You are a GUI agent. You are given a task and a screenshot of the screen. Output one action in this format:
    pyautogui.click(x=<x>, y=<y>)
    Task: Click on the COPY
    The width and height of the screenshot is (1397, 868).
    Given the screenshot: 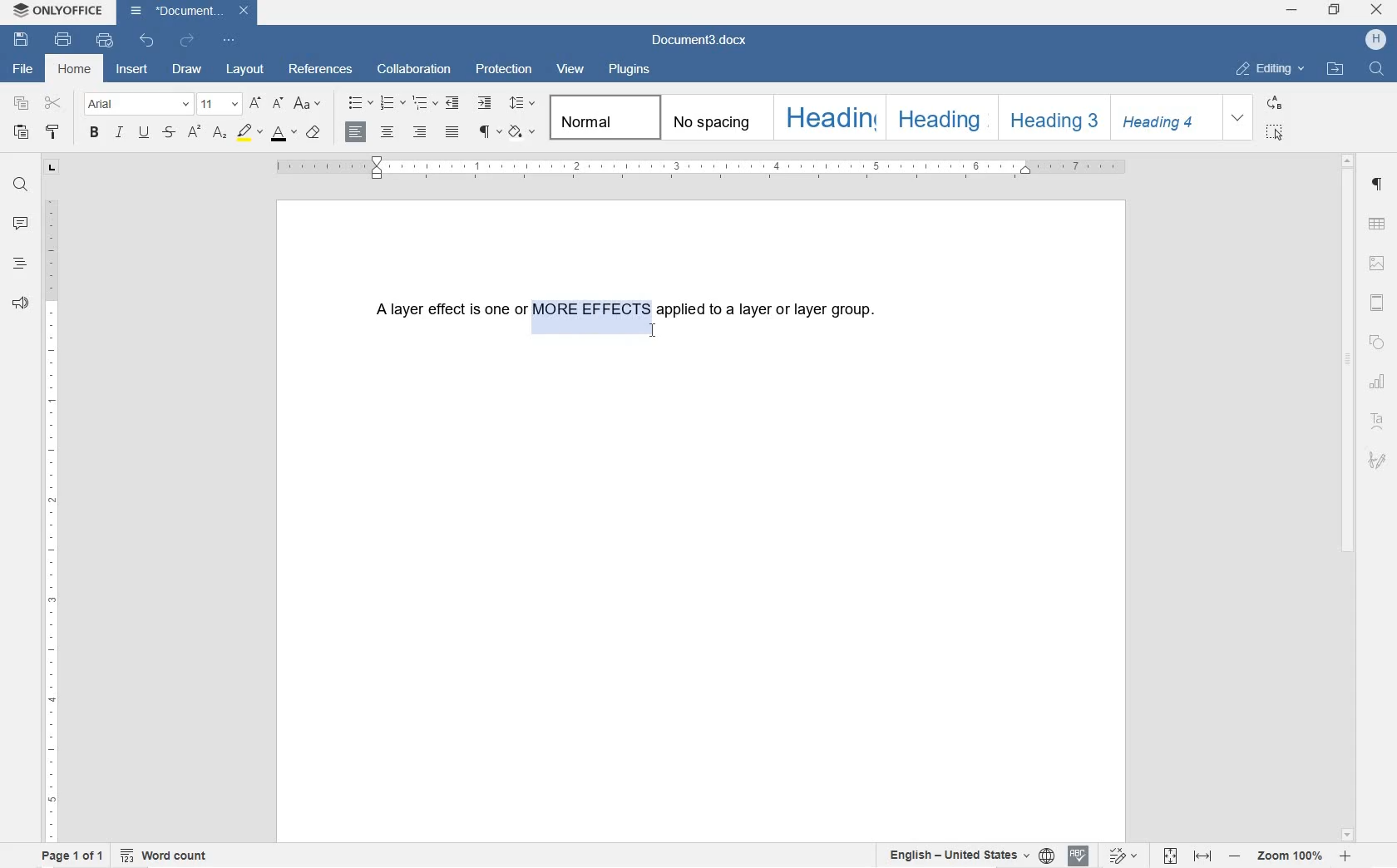 What is the action you would take?
    pyautogui.click(x=23, y=104)
    